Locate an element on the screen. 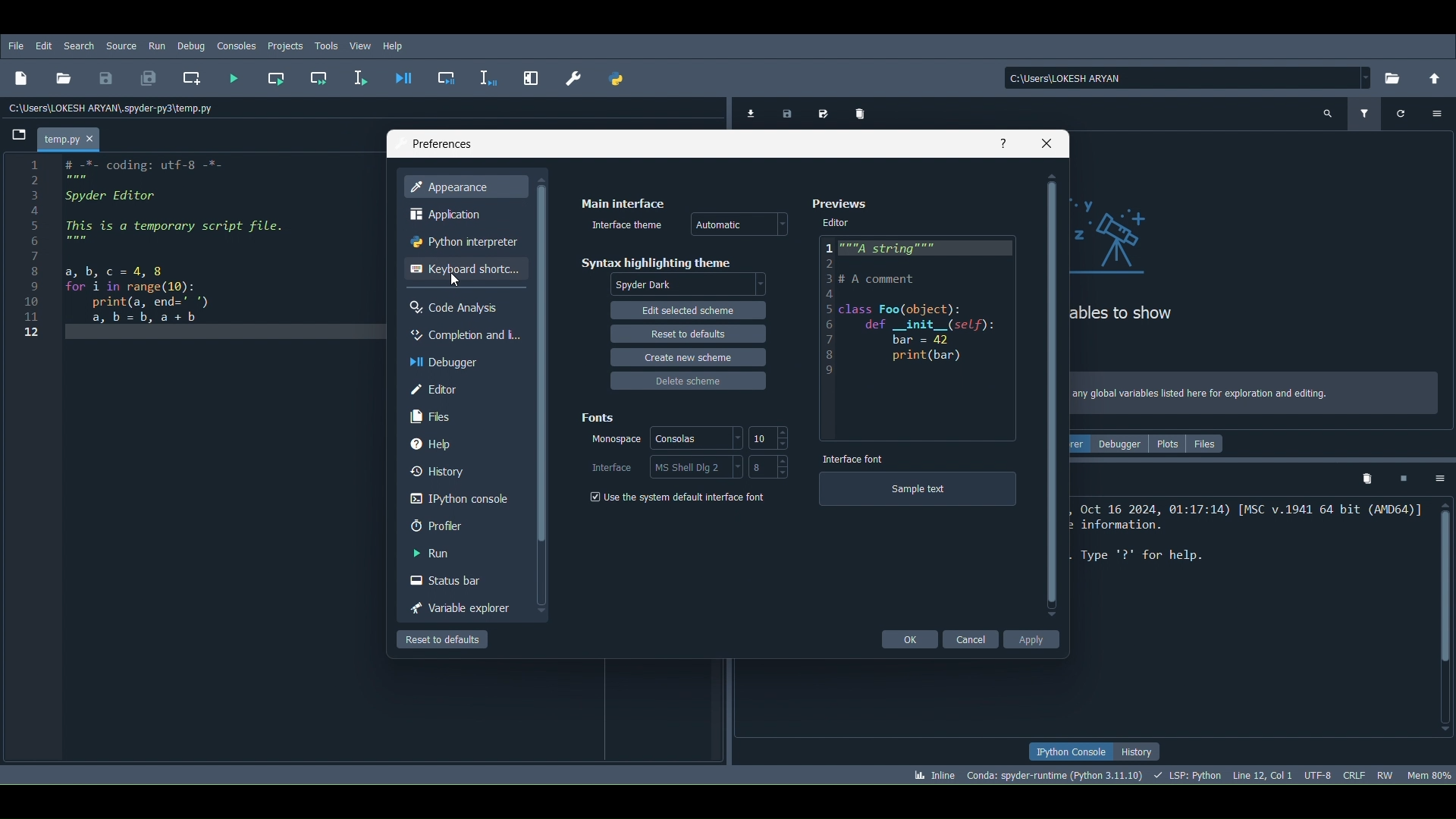  Debug selection or current line is located at coordinates (488, 76).